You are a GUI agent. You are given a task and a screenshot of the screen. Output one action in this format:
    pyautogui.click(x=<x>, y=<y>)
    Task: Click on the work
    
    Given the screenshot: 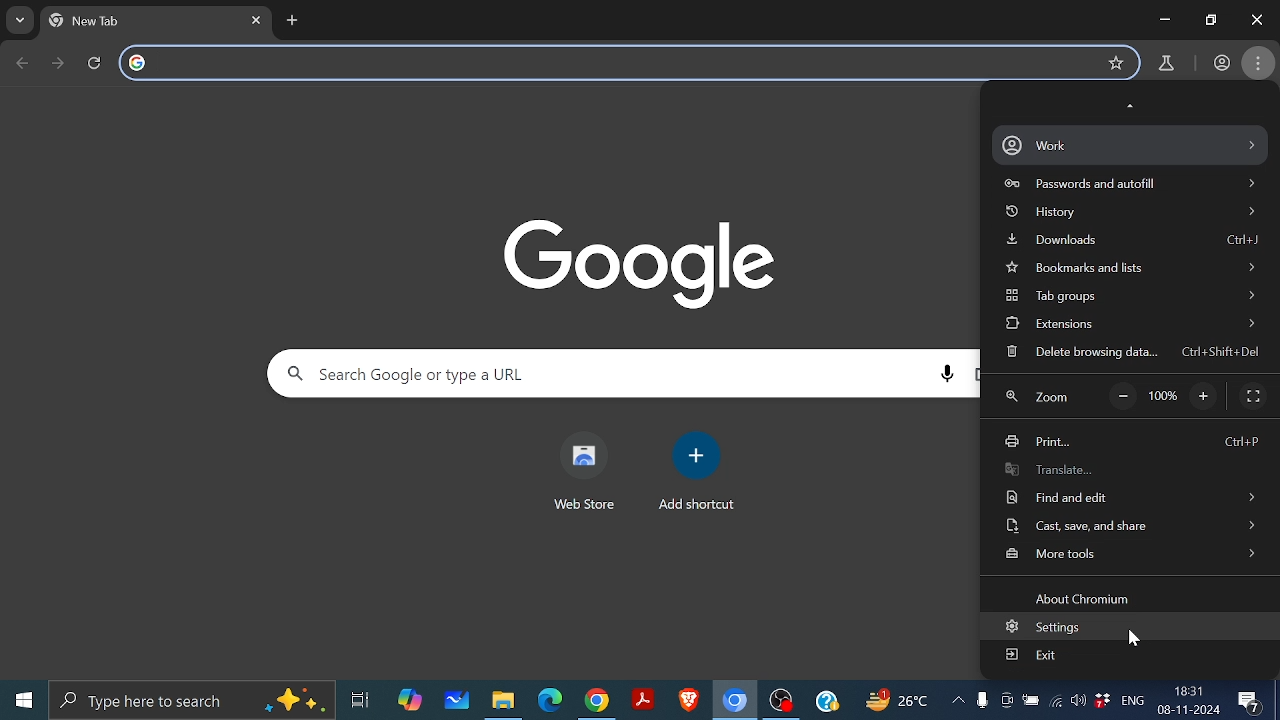 What is the action you would take?
    pyautogui.click(x=1221, y=61)
    